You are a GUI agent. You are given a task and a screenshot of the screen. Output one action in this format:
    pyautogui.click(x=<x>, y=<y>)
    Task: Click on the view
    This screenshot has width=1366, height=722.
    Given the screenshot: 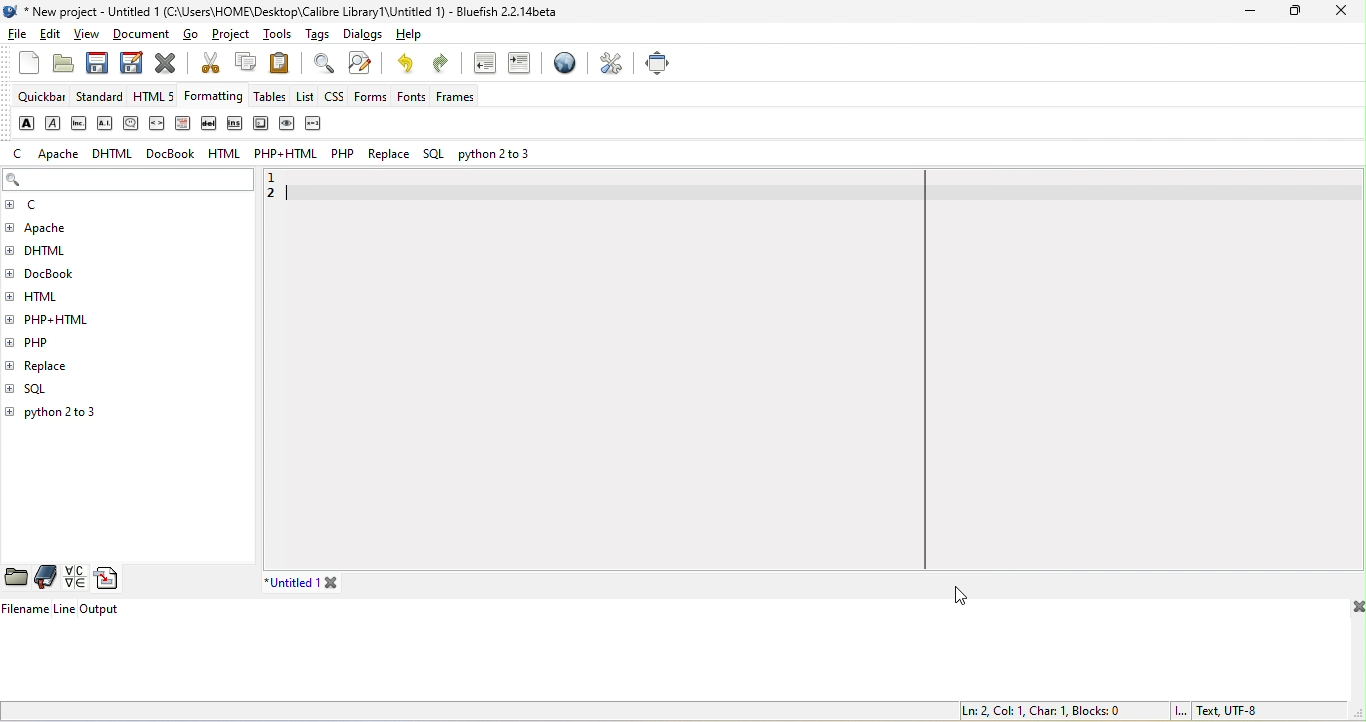 What is the action you would take?
    pyautogui.click(x=91, y=34)
    